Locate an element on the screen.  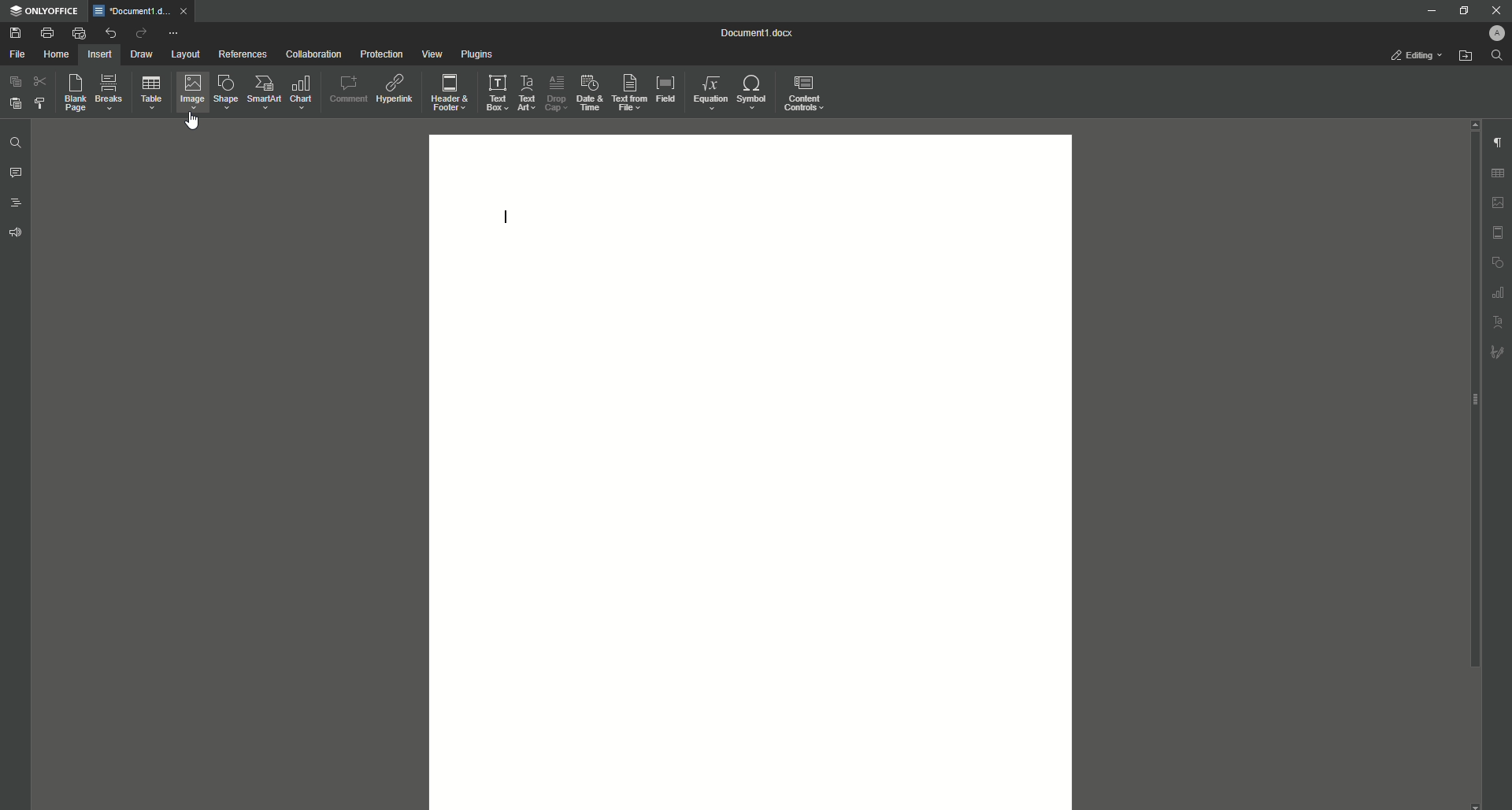
Date and Time is located at coordinates (589, 92).